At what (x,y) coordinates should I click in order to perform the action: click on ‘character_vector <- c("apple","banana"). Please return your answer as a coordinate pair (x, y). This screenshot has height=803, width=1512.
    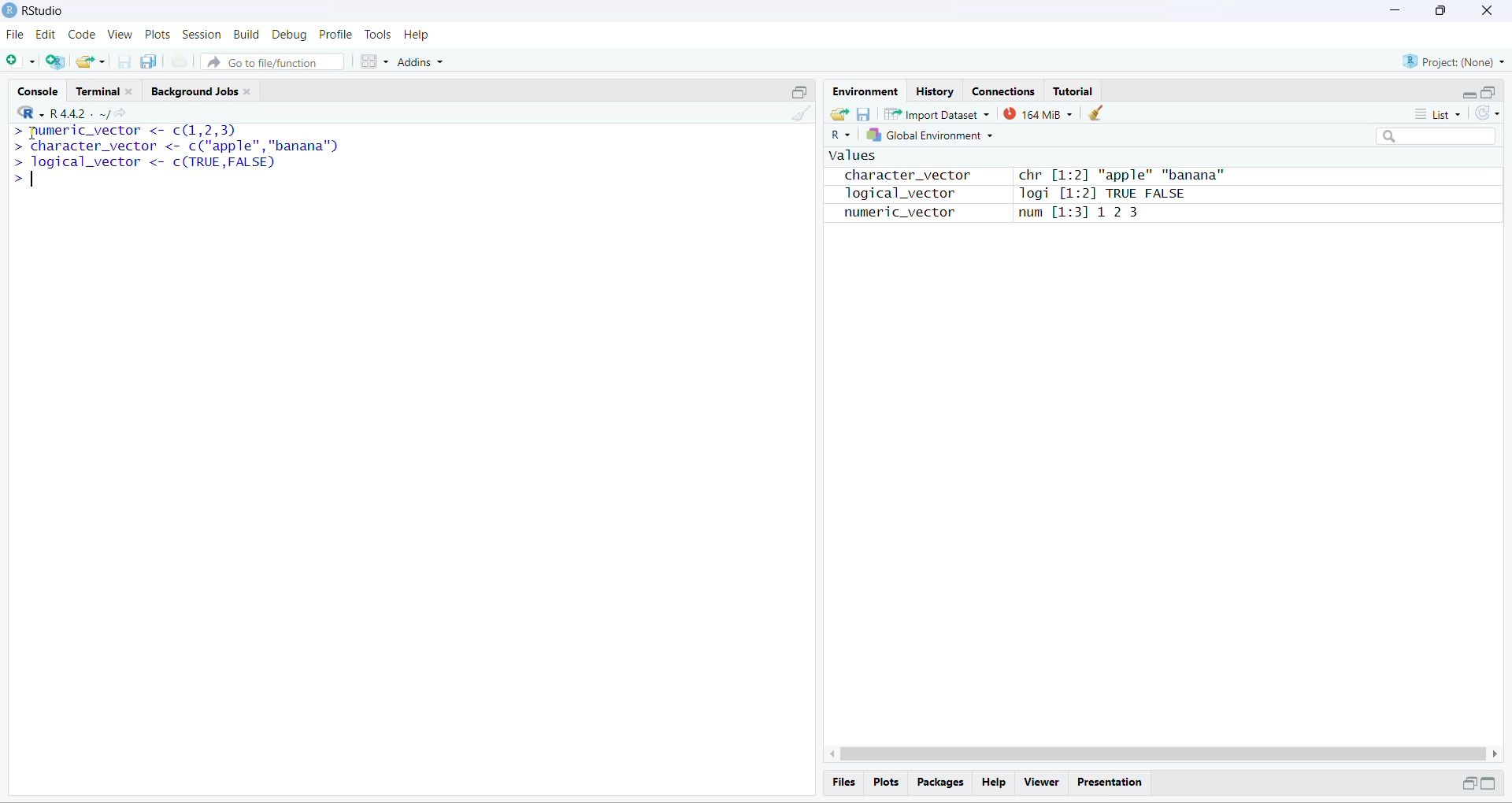
    Looking at the image, I should click on (176, 146).